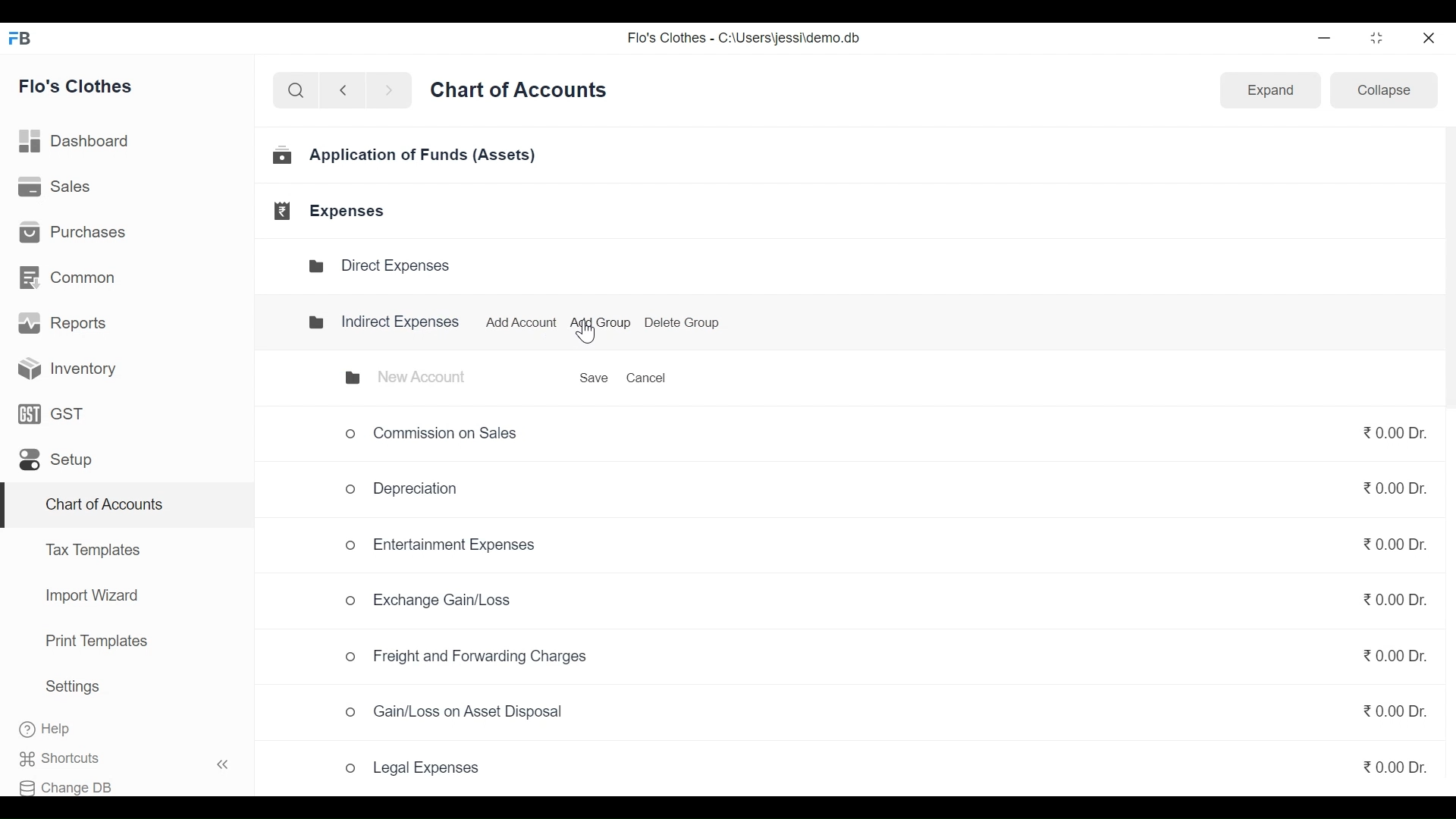 Image resolution: width=1456 pixels, height=819 pixels. I want to click on Indirect Expenses, so click(384, 320).